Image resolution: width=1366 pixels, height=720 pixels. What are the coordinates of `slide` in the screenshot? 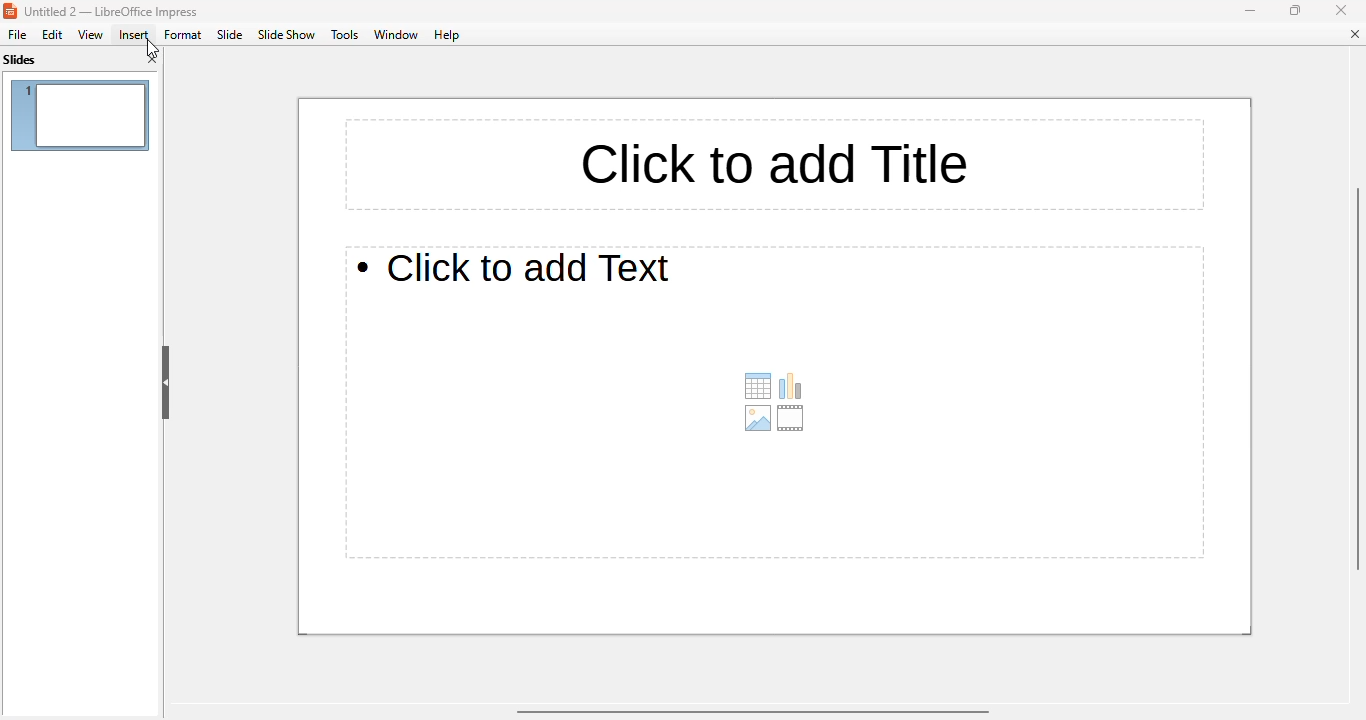 It's located at (231, 34).